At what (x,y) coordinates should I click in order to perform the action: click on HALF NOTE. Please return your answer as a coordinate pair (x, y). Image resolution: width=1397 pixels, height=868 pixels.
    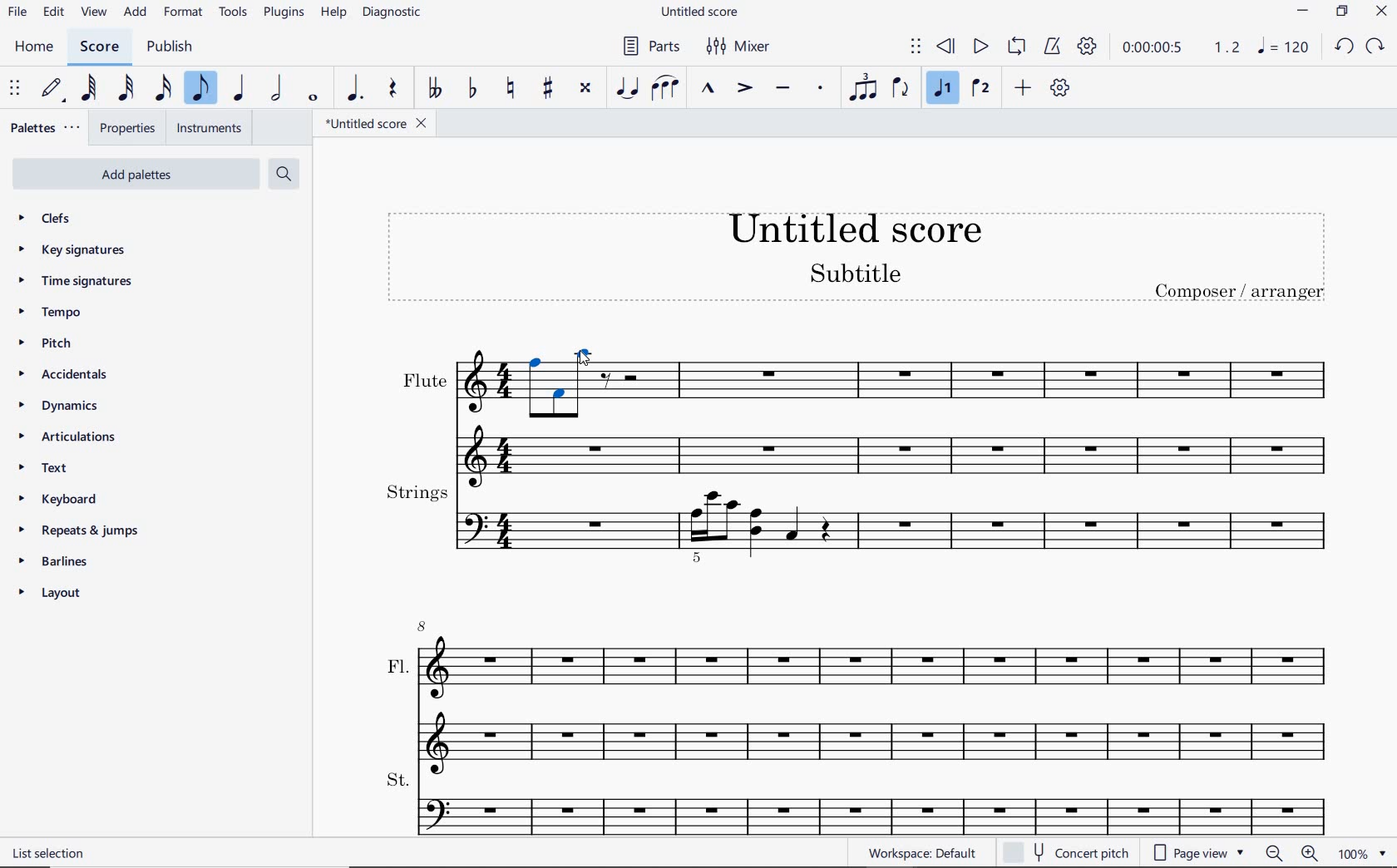
    Looking at the image, I should click on (279, 90).